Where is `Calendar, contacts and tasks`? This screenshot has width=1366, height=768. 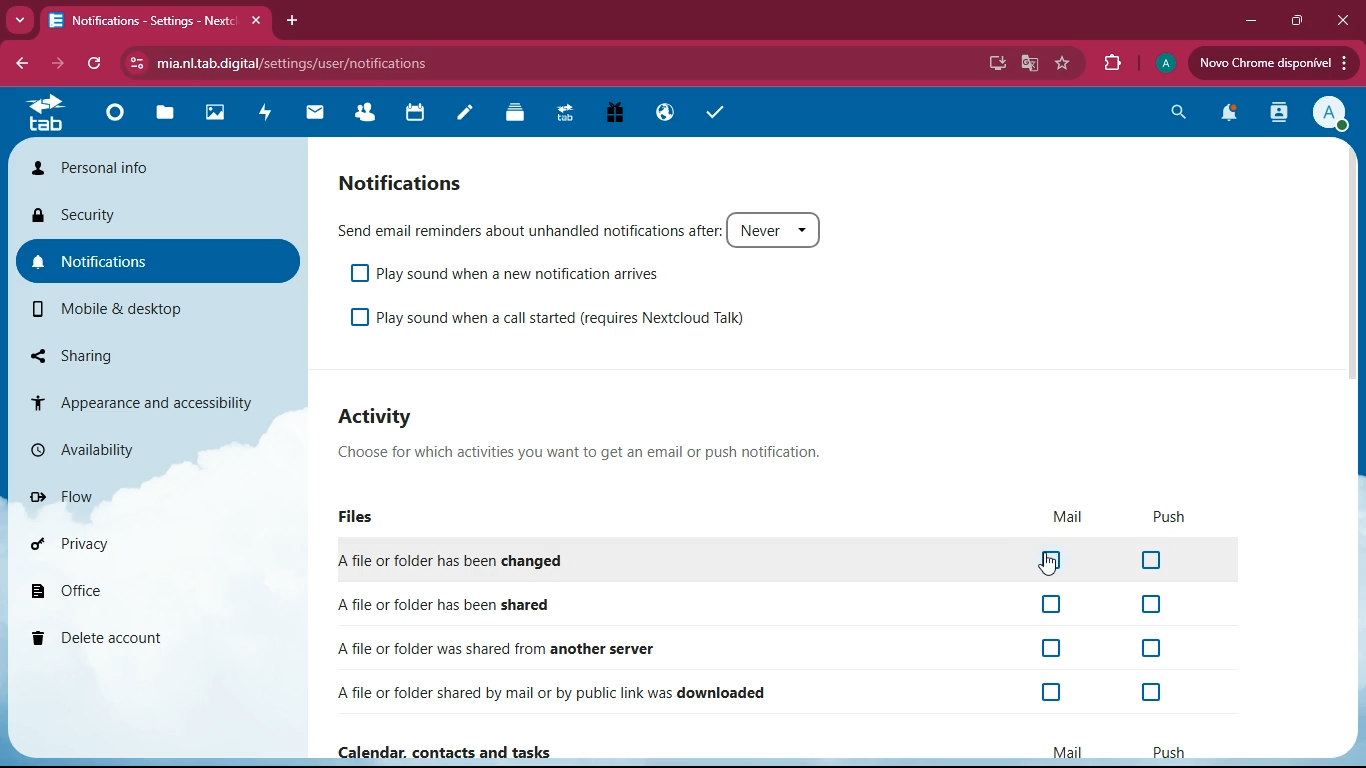 Calendar, contacts and tasks is located at coordinates (451, 752).